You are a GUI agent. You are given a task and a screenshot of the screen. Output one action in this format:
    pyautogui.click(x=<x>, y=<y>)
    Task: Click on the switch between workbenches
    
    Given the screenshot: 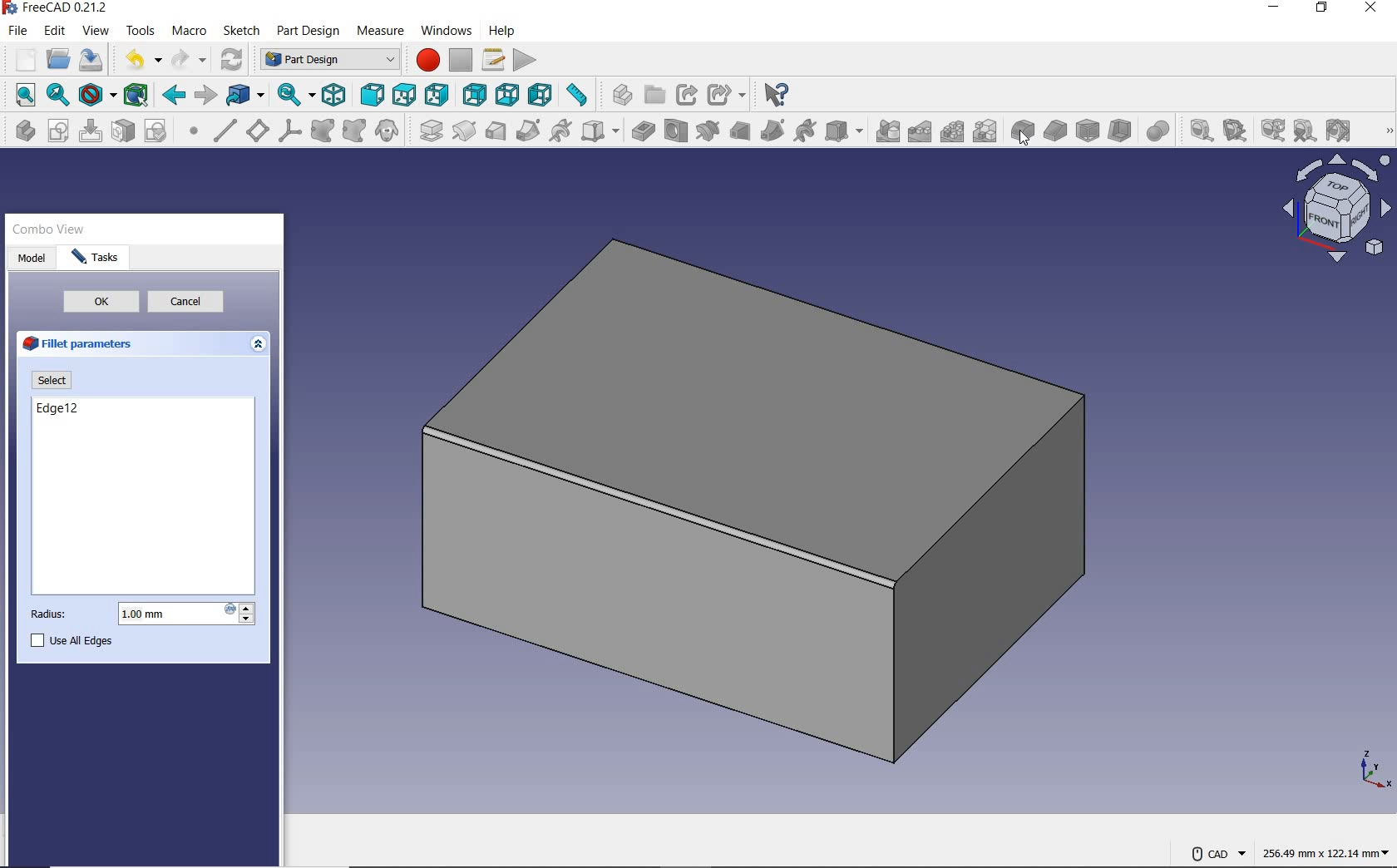 What is the action you would take?
    pyautogui.click(x=329, y=60)
    